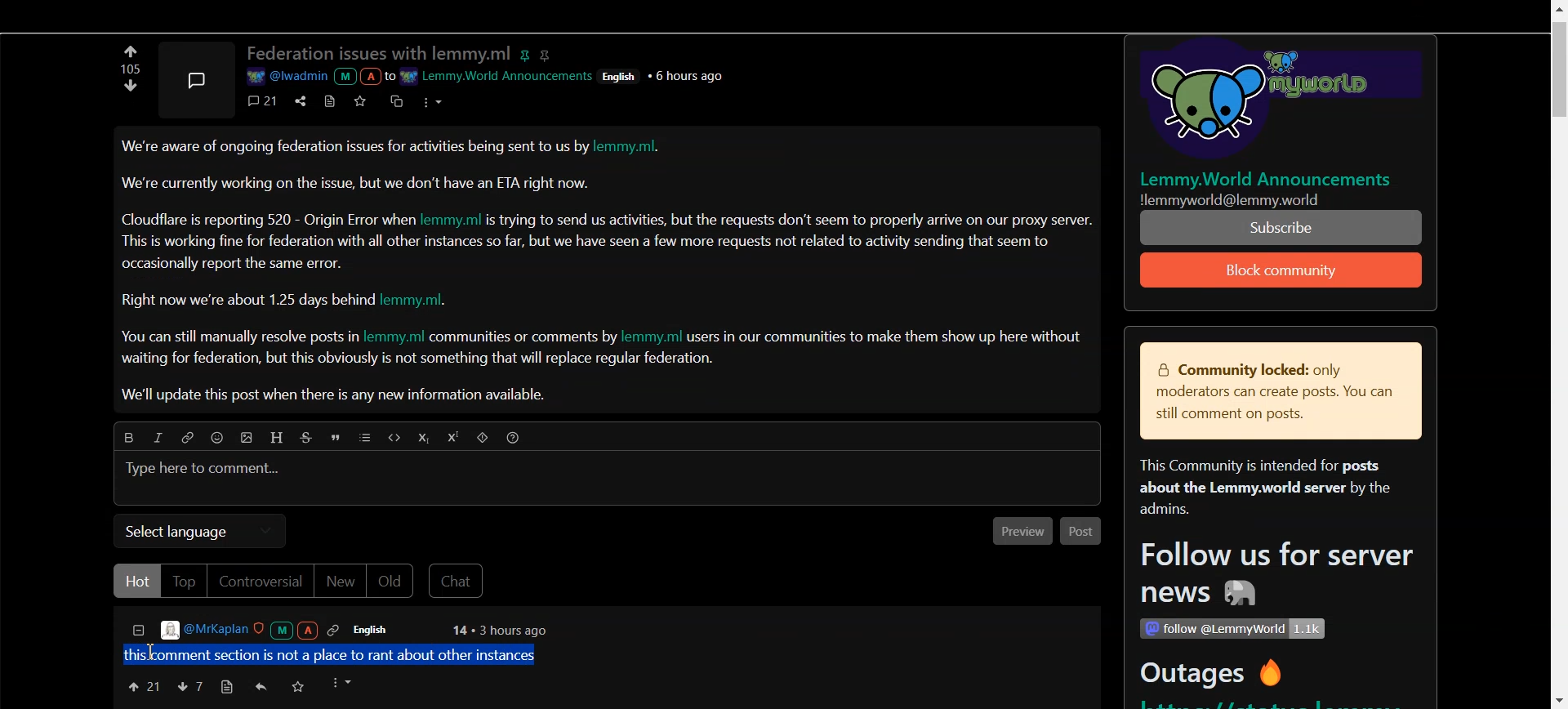 Image resolution: width=1568 pixels, height=709 pixels. What do you see at coordinates (422, 439) in the screenshot?
I see `Subscript` at bounding box center [422, 439].